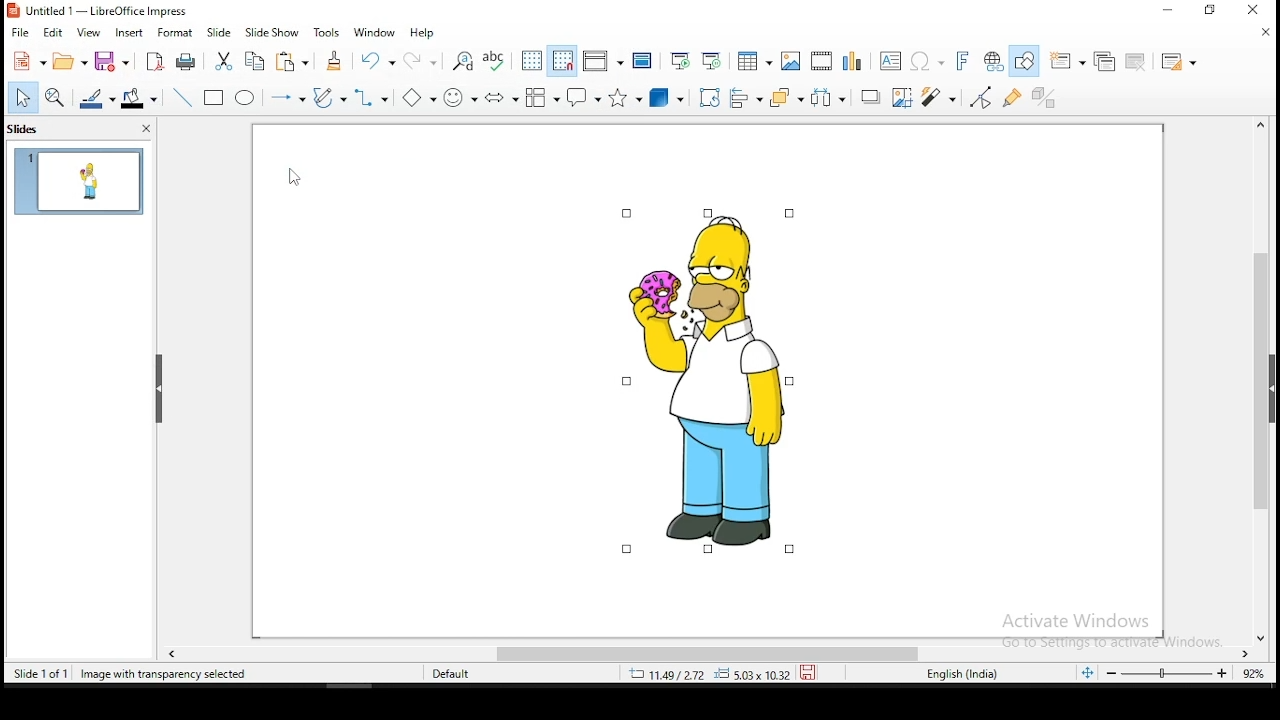 Image resolution: width=1280 pixels, height=720 pixels. I want to click on show draw functions, so click(1026, 62).